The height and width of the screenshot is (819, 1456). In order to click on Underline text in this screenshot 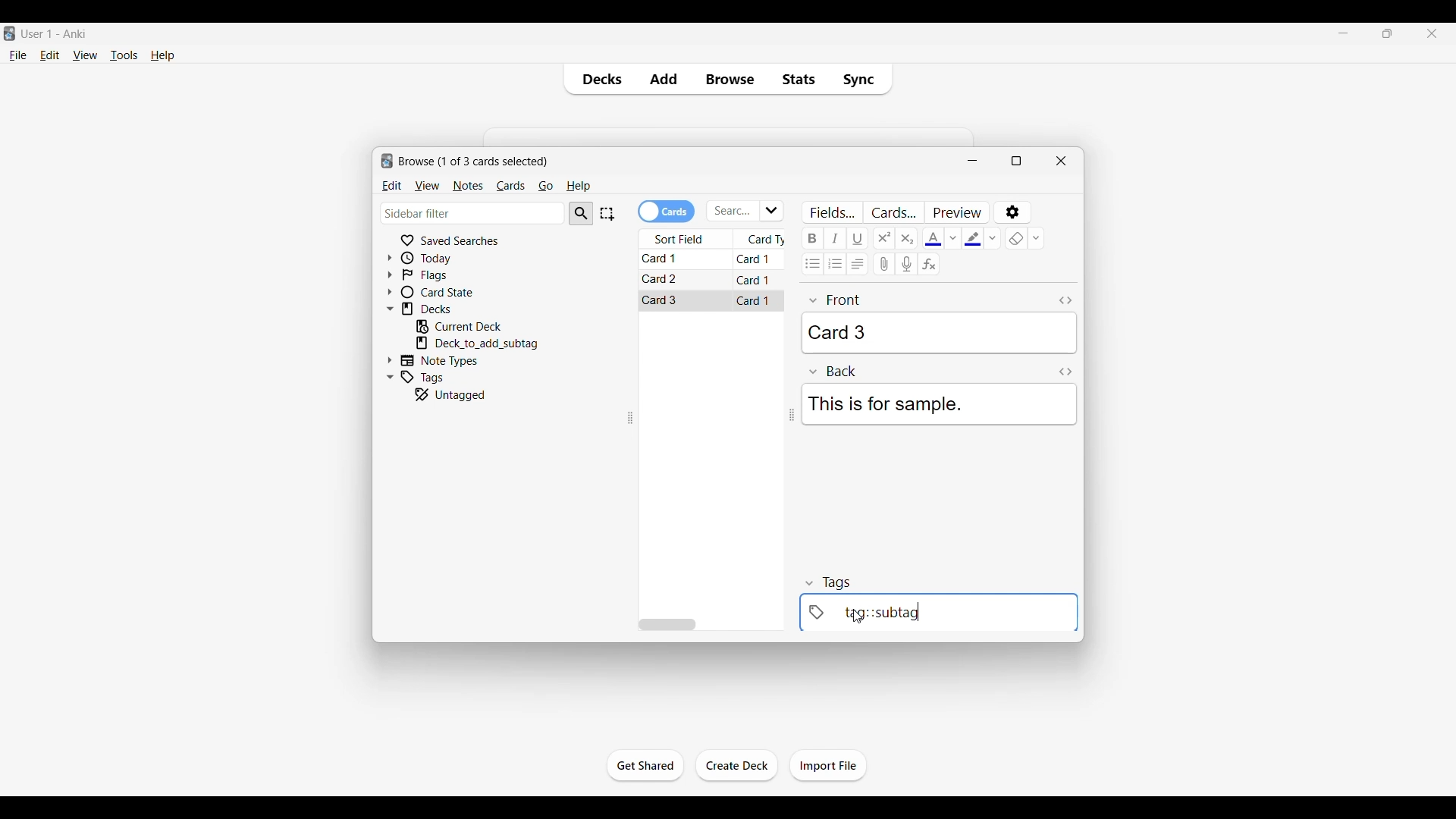, I will do `click(858, 238)`.